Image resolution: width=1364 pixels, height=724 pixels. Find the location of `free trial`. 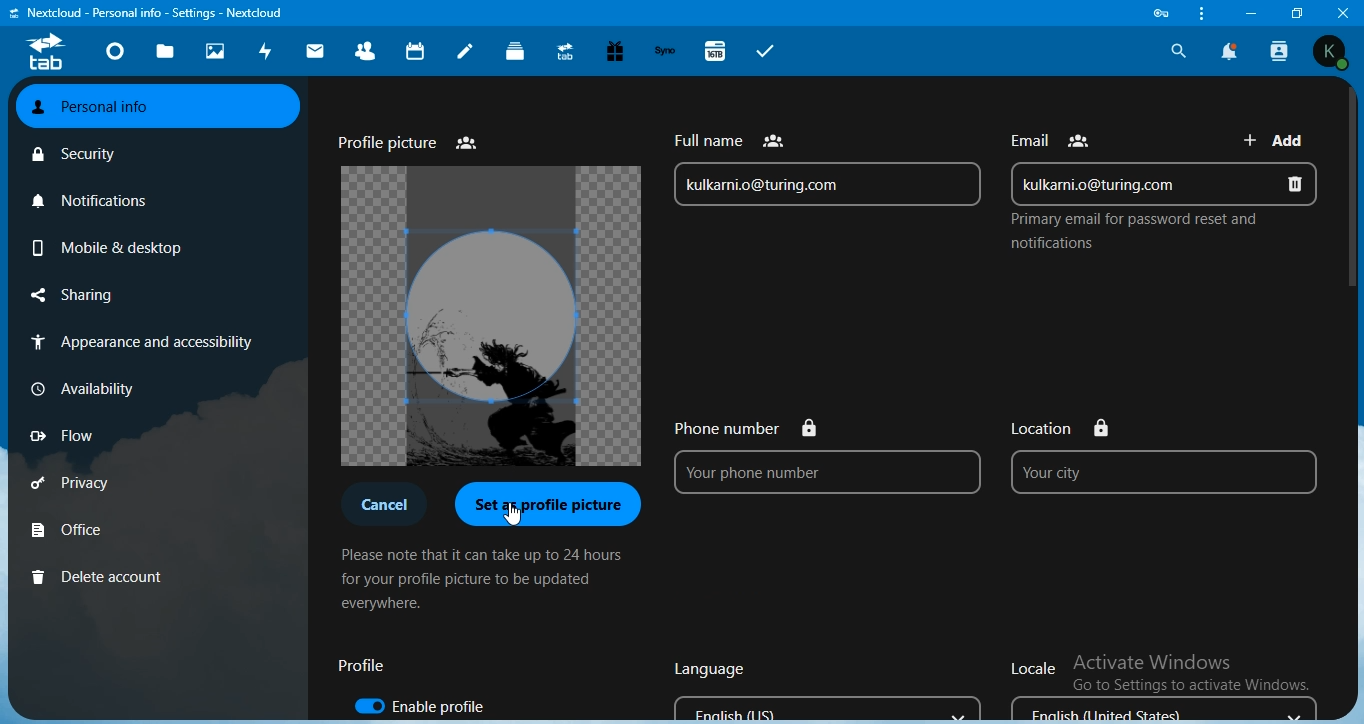

free trial is located at coordinates (616, 52).